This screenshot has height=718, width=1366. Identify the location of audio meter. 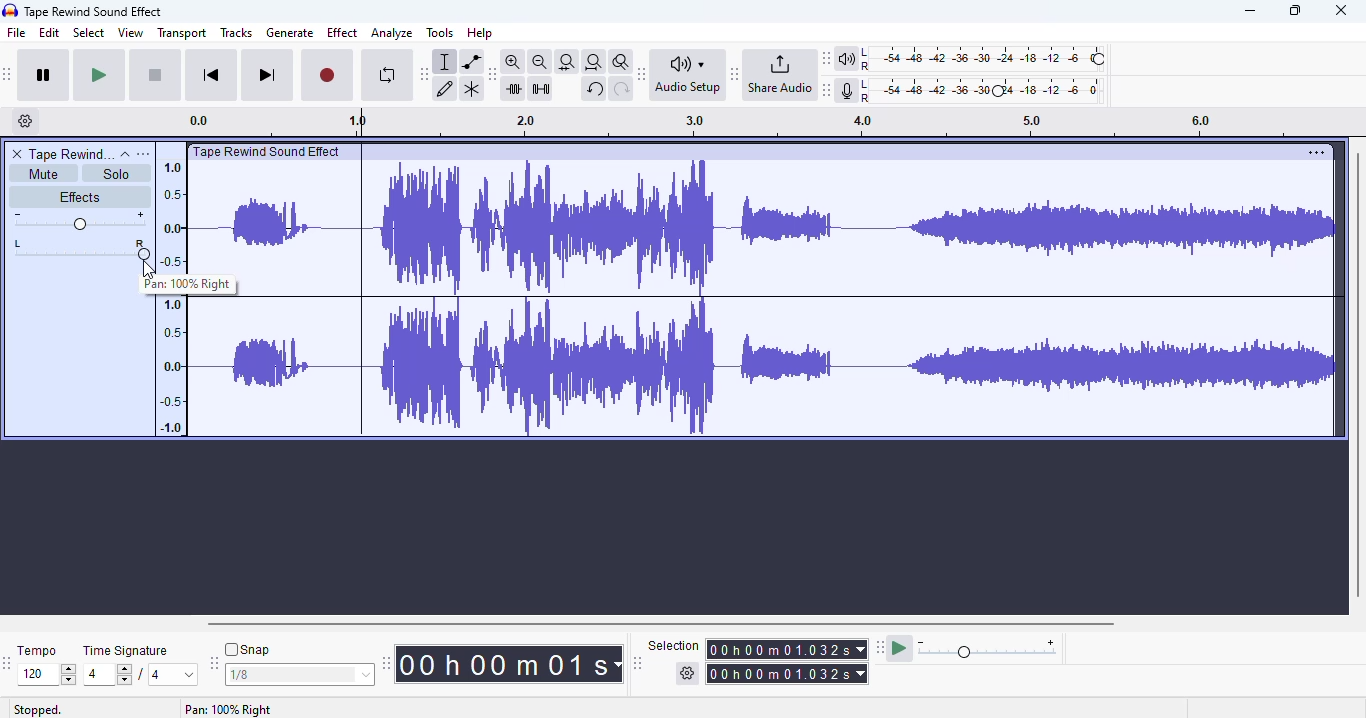
(973, 92).